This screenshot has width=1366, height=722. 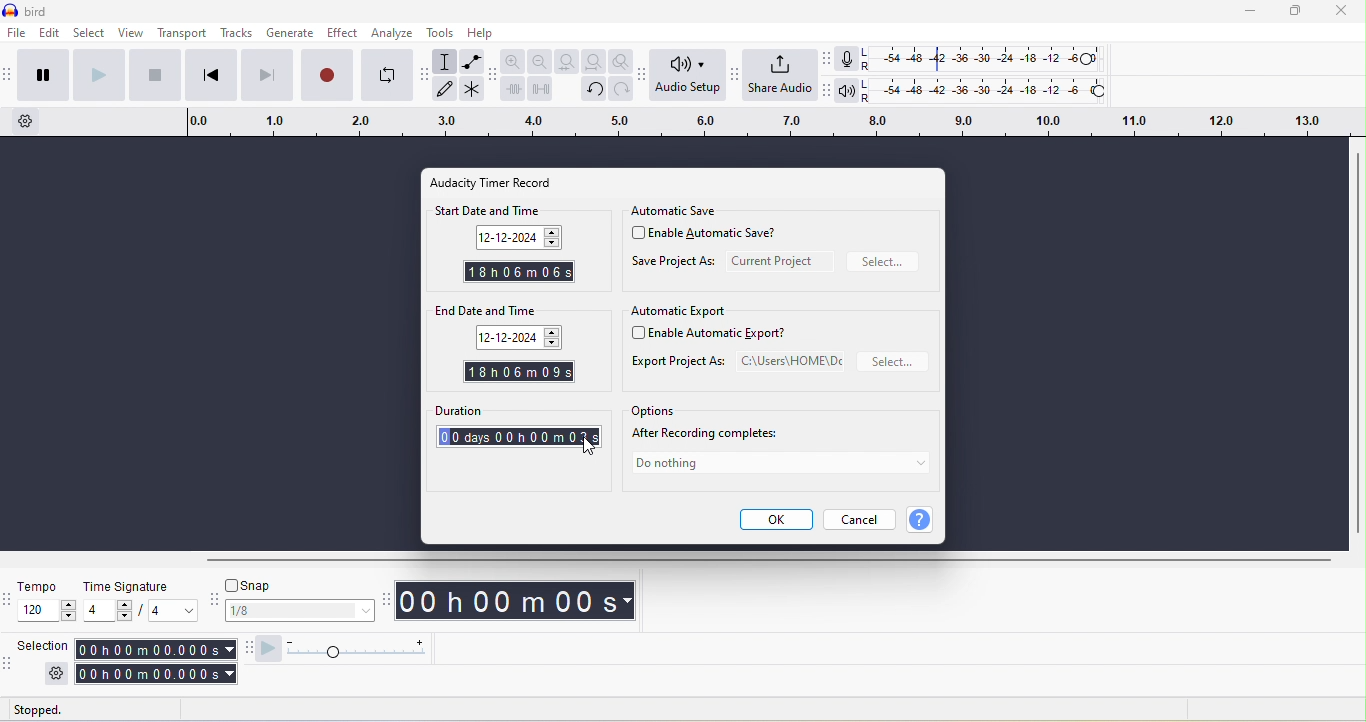 What do you see at coordinates (863, 519) in the screenshot?
I see `cancel` at bounding box center [863, 519].